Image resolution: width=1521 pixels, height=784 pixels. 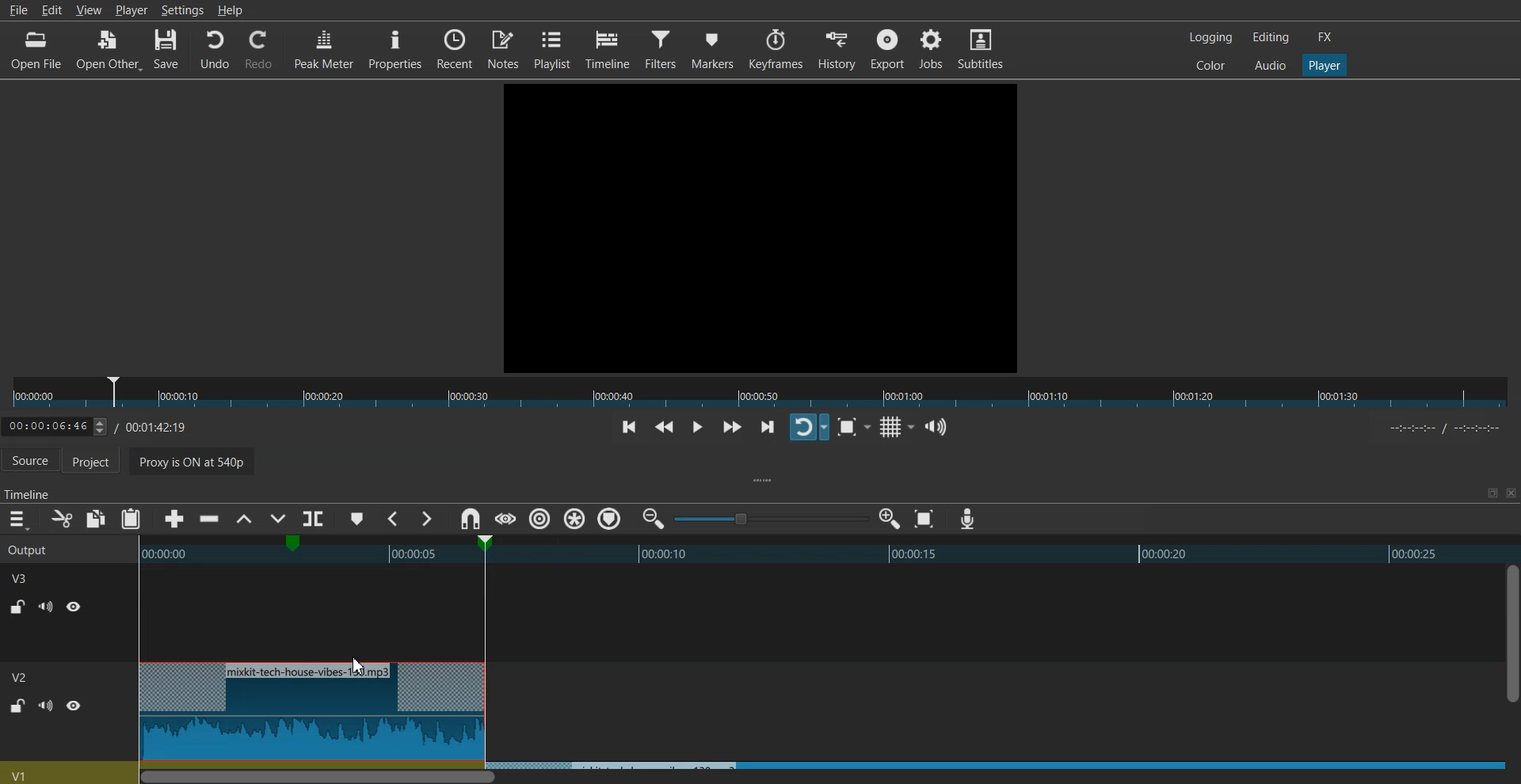 What do you see at coordinates (814, 719) in the screenshot?
I see `Blank timeline` at bounding box center [814, 719].